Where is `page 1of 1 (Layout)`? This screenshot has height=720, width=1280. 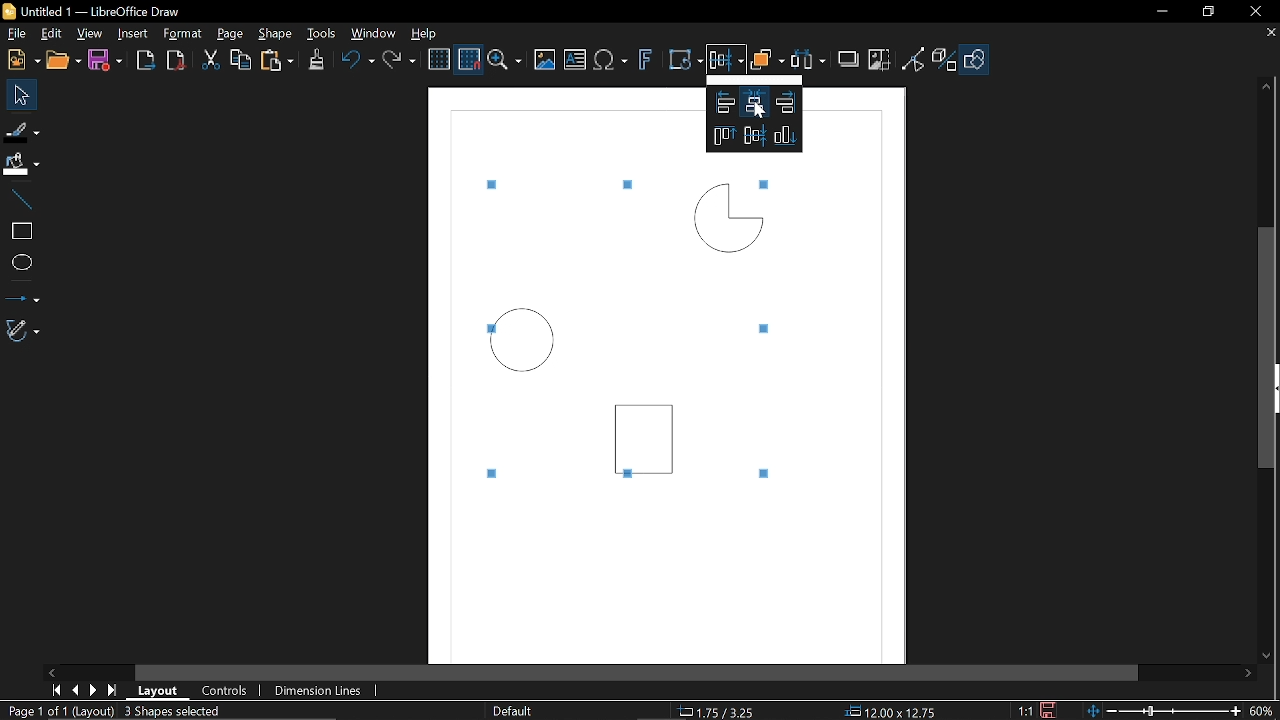 page 1of 1 (Layout) is located at coordinates (60, 710).